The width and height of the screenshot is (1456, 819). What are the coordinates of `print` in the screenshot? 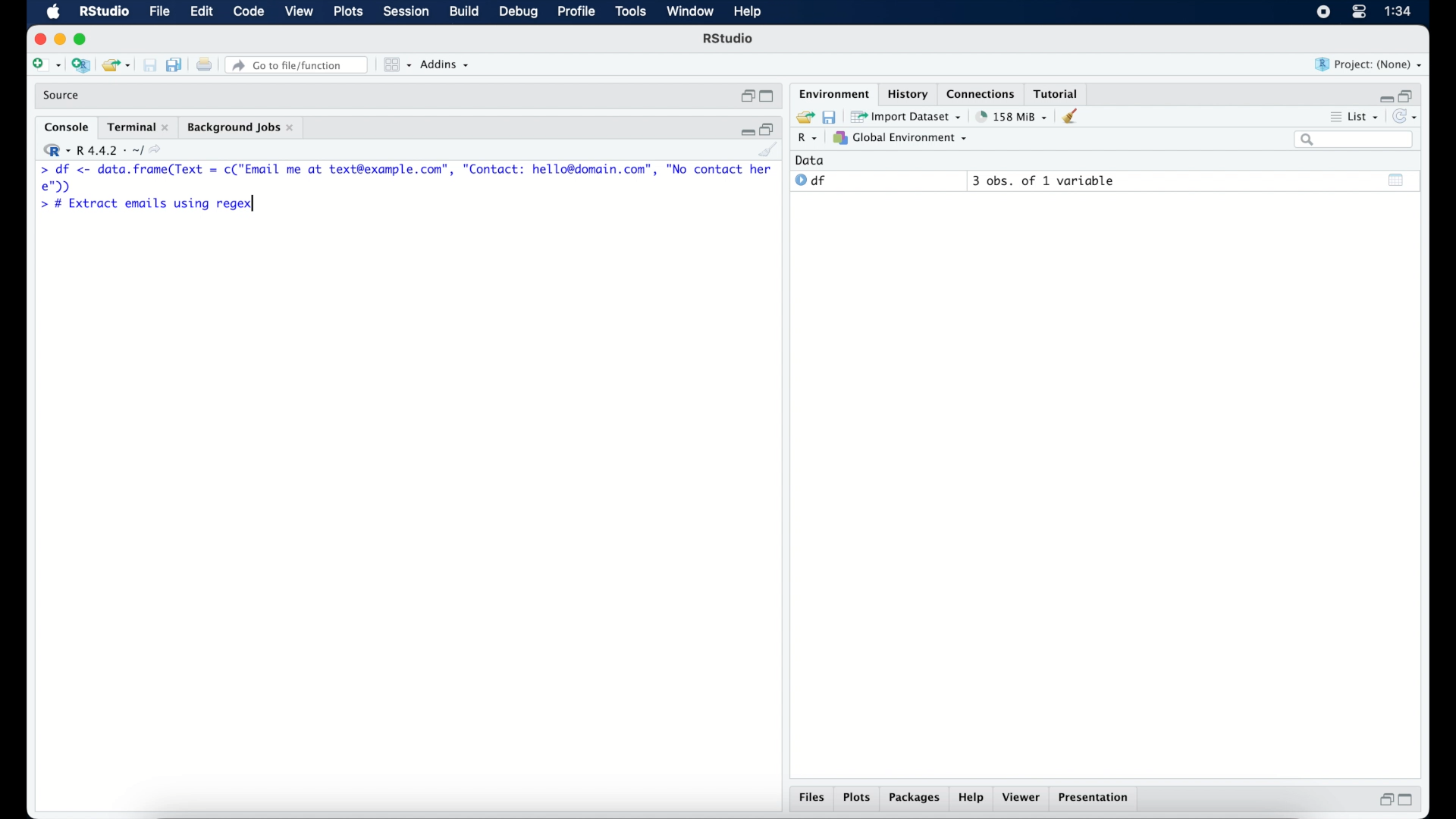 It's located at (149, 64).